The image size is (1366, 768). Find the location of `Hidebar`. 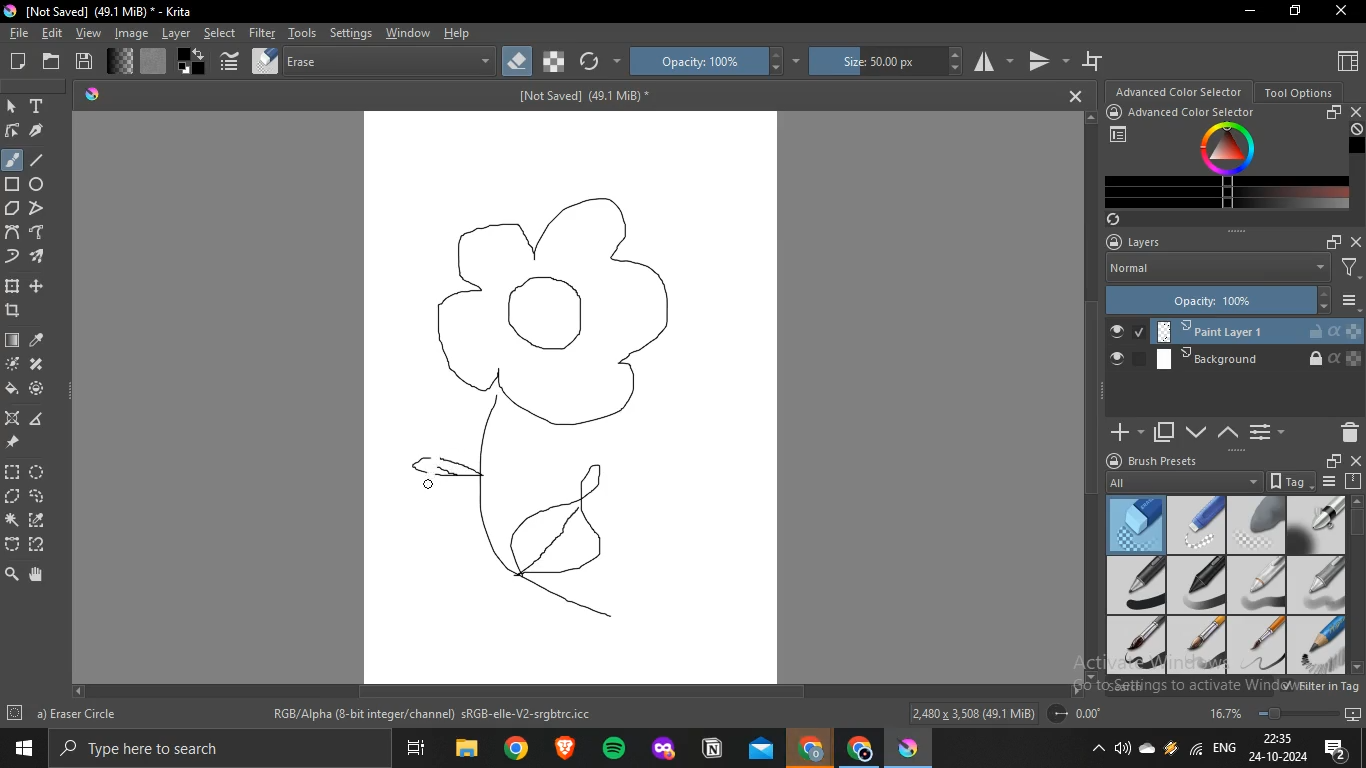

Hidebar is located at coordinates (1096, 748).